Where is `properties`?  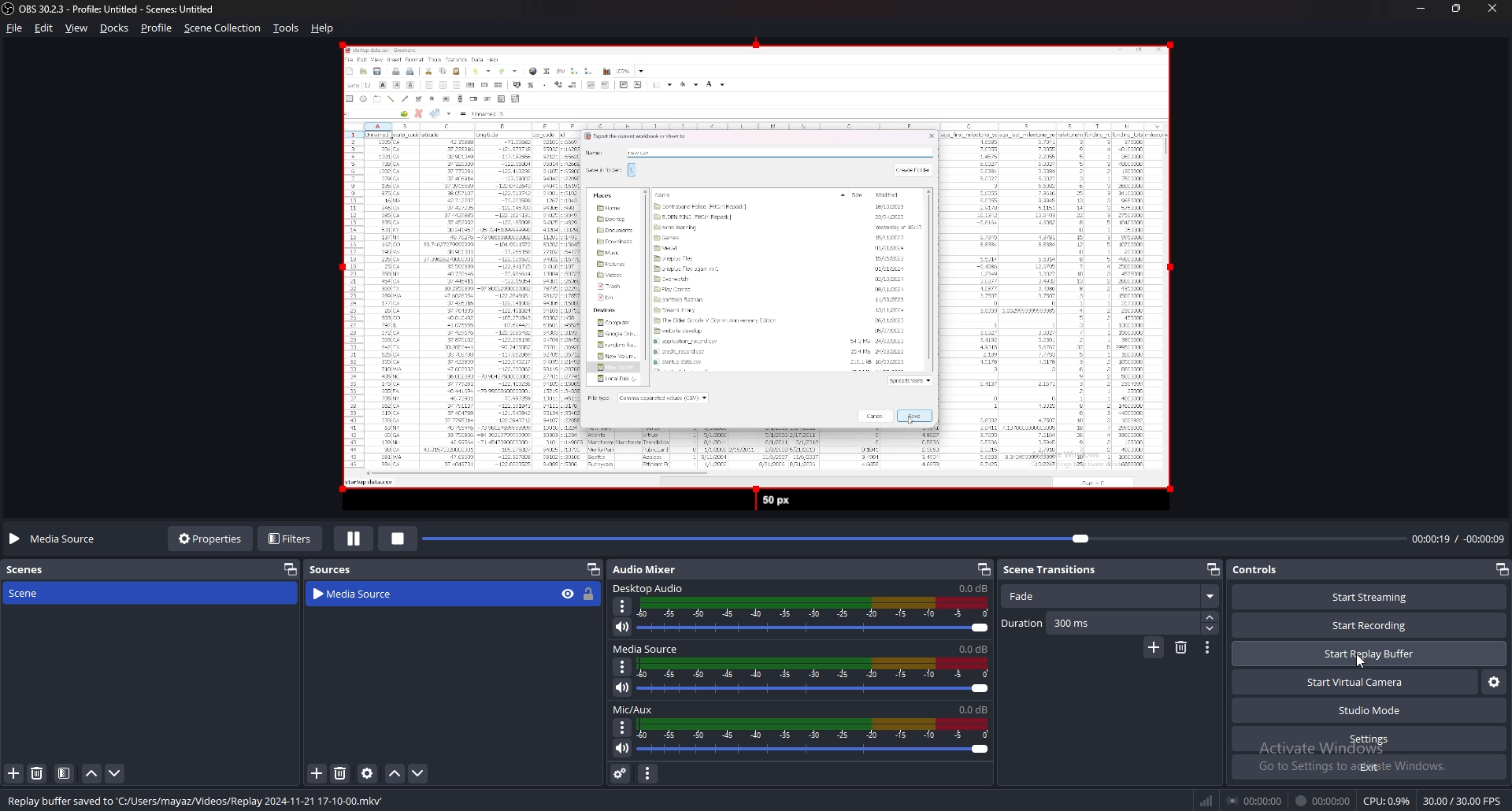 properties is located at coordinates (208, 540).